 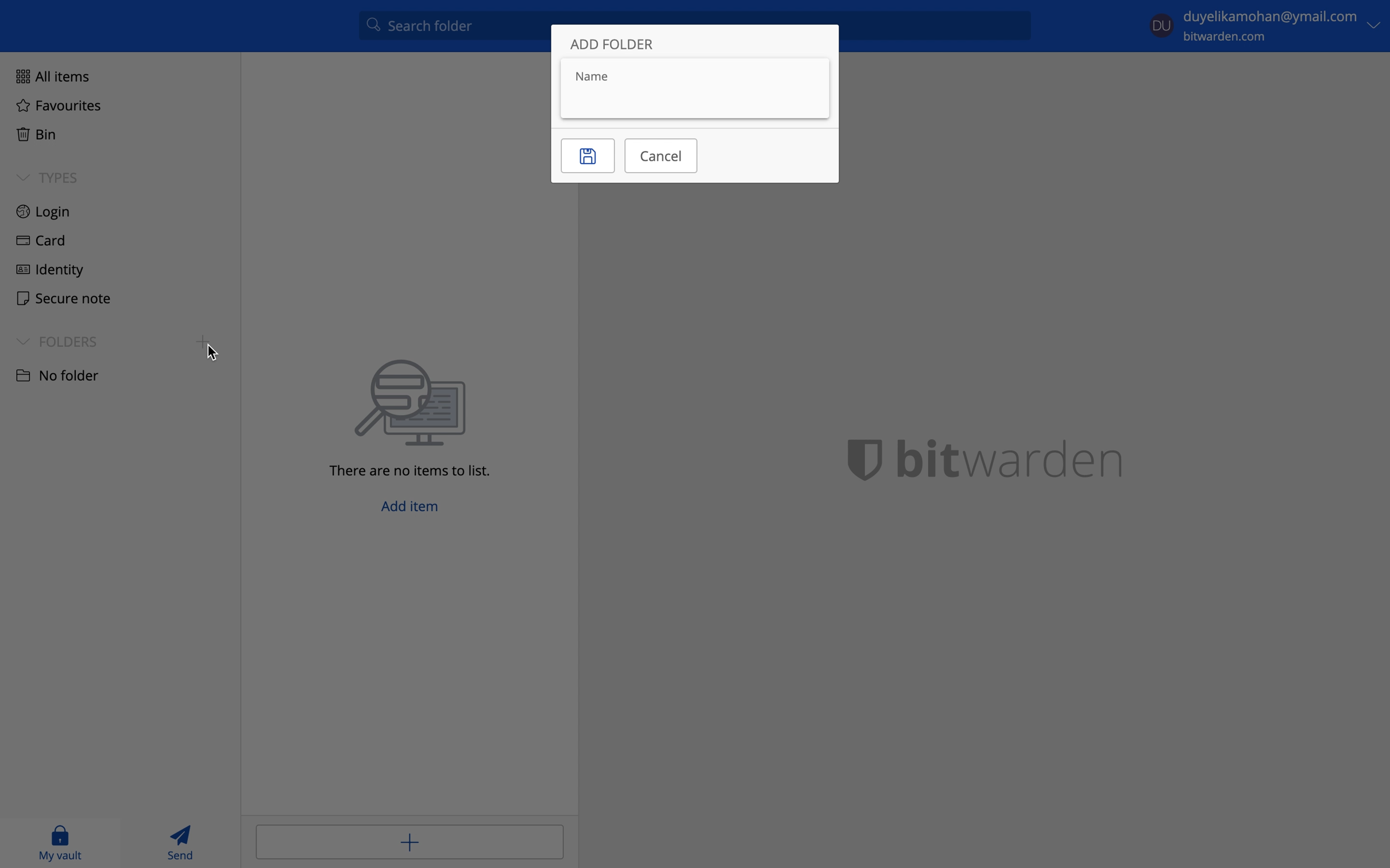 What do you see at coordinates (409, 840) in the screenshot?
I see `add item` at bounding box center [409, 840].